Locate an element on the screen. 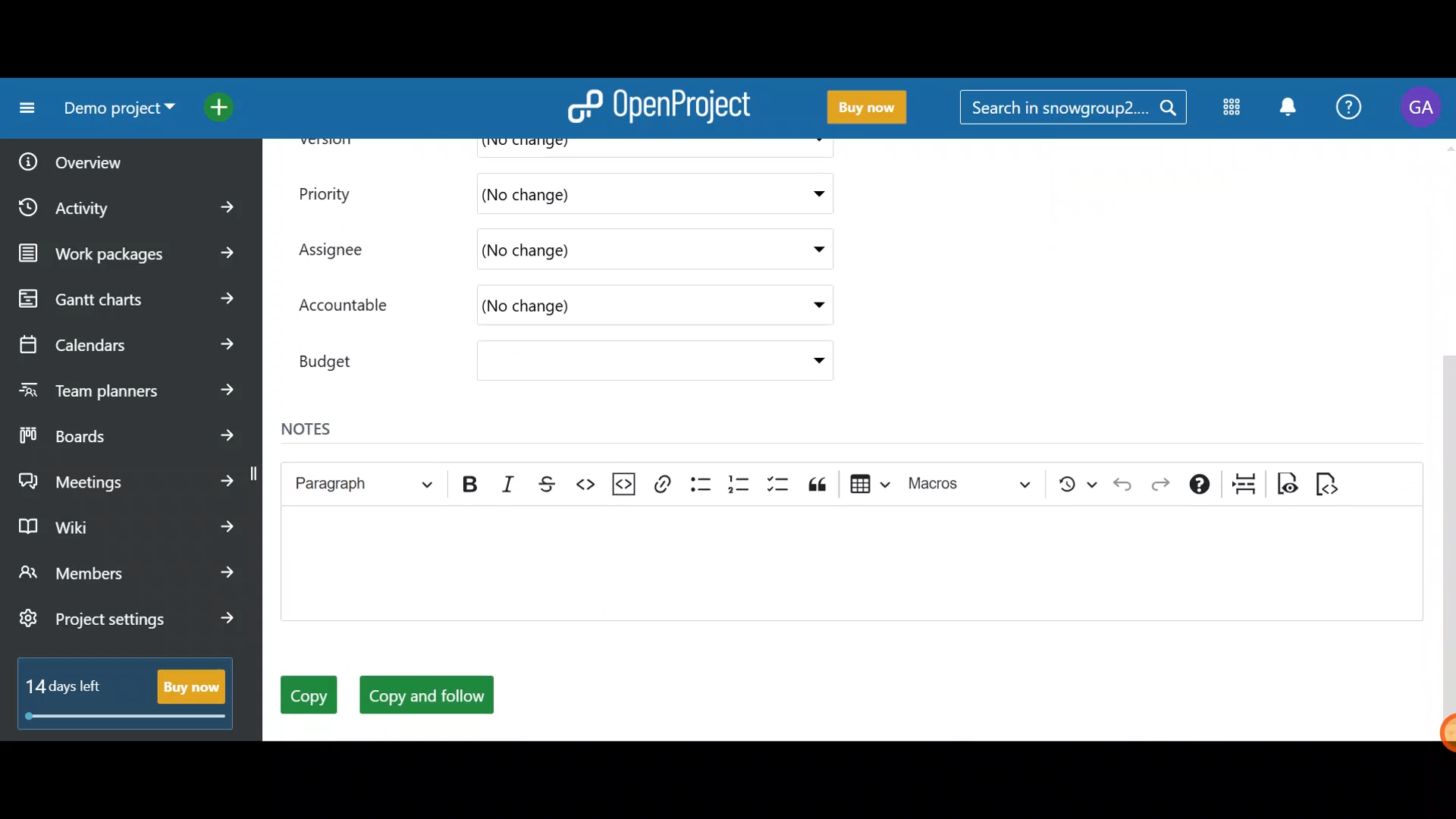 This screenshot has width=1456, height=819. Search in snowgroup?....  is located at coordinates (1077, 108).